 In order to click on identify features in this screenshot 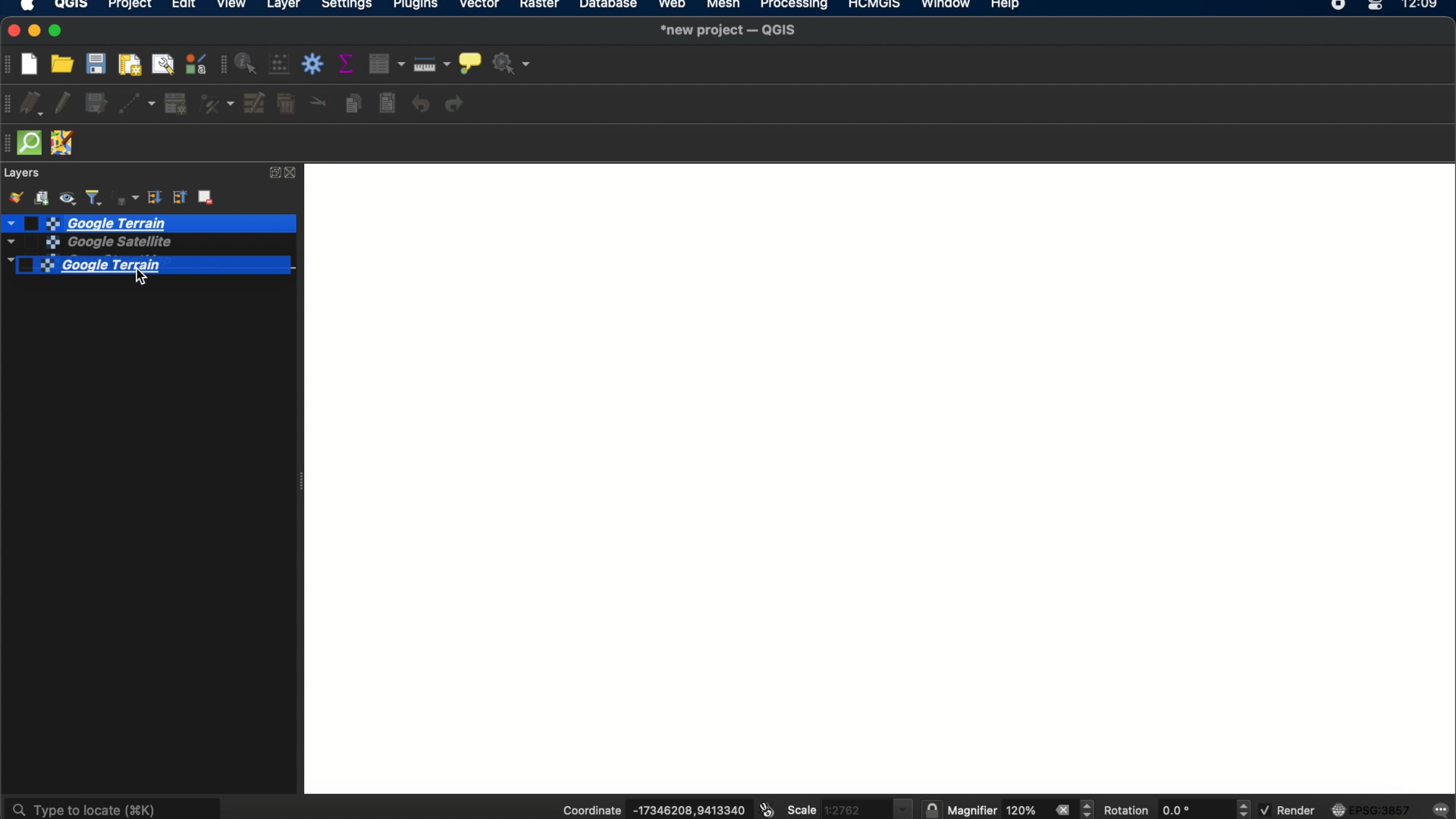, I will do `click(248, 64)`.